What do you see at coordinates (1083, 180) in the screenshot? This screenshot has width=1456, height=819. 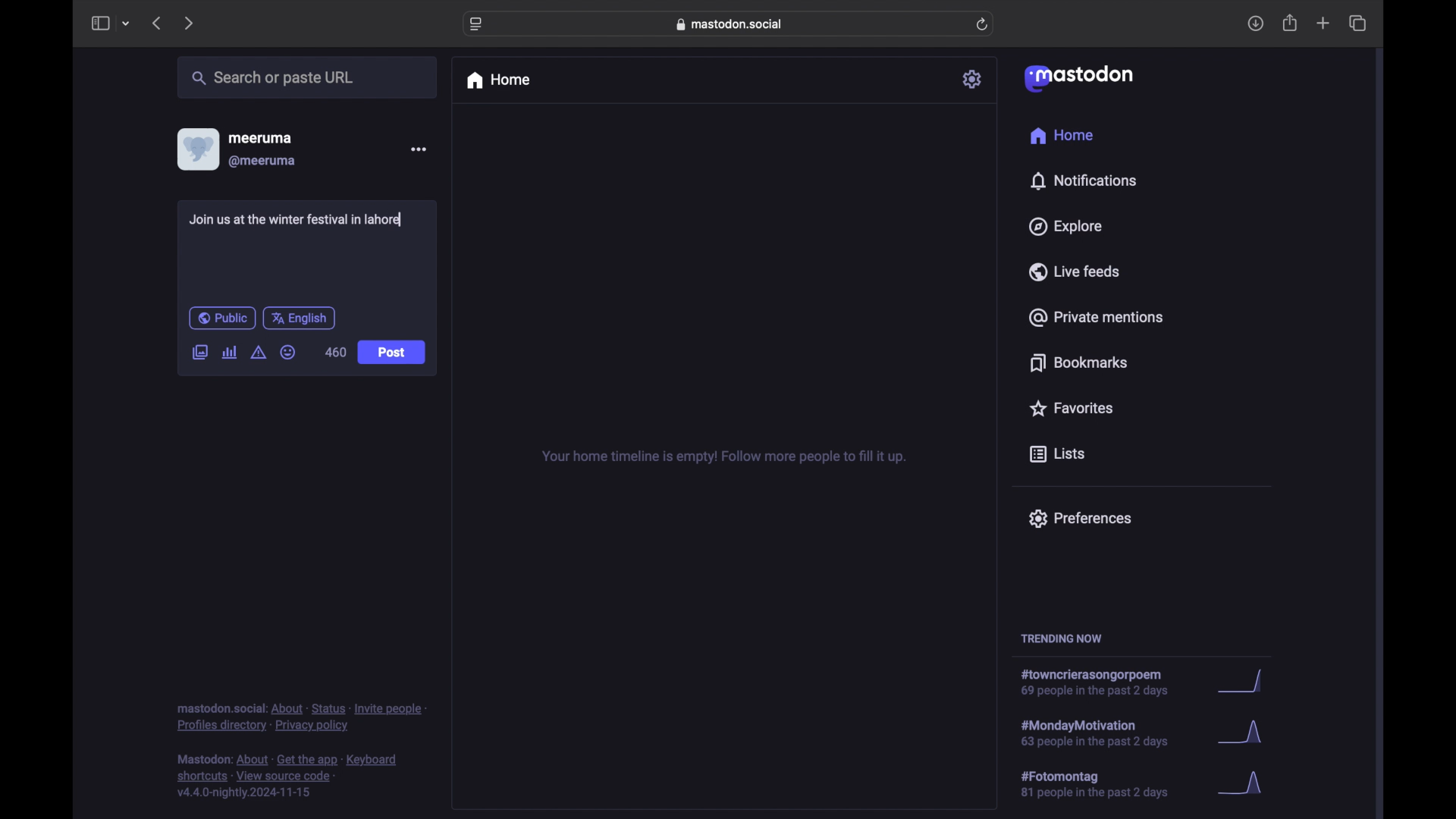 I see `notifications` at bounding box center [1083, 180].